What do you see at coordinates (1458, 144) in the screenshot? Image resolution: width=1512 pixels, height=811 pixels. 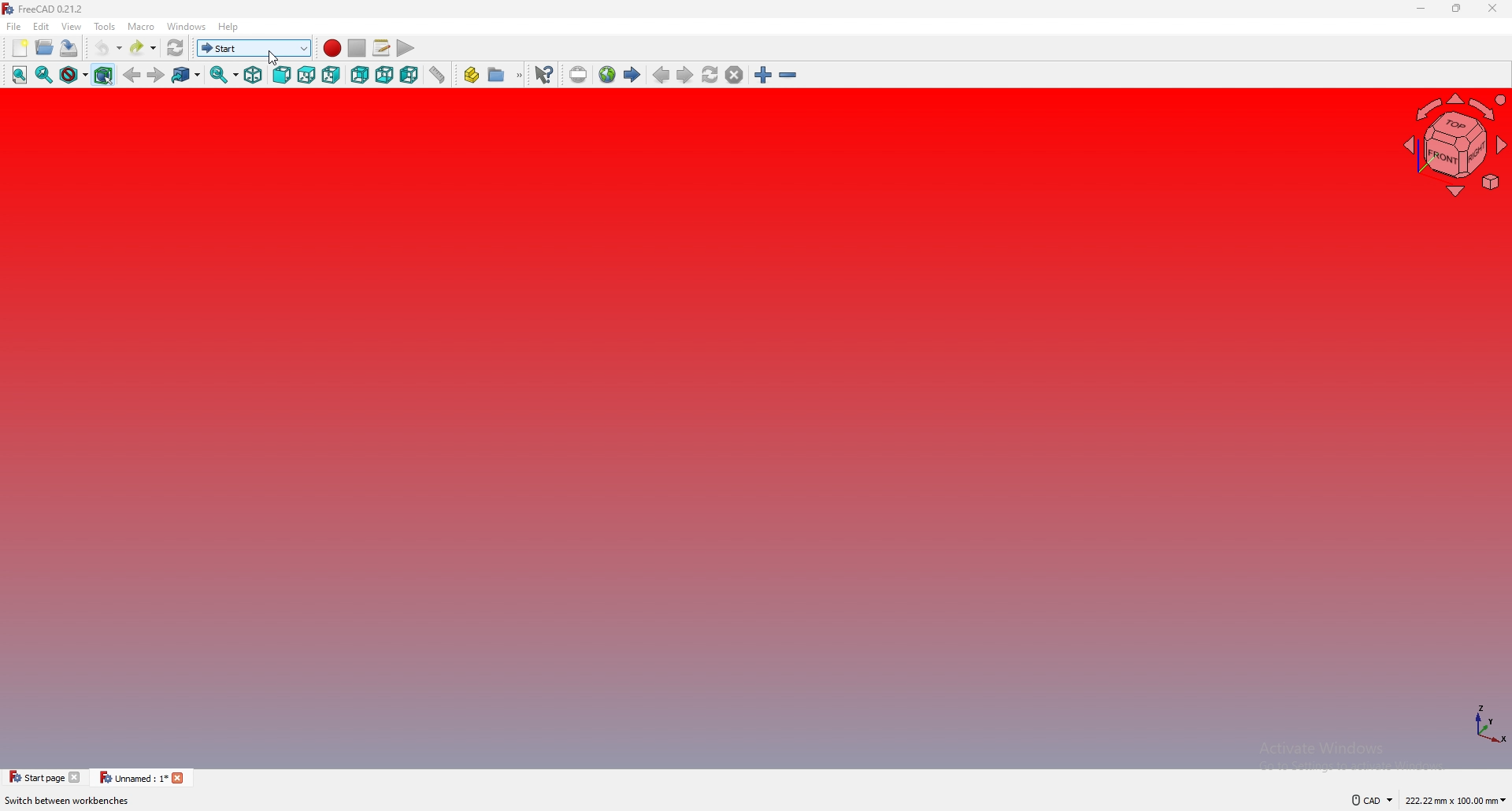 I see `navigating cube` at bounding box center [1458, 144].